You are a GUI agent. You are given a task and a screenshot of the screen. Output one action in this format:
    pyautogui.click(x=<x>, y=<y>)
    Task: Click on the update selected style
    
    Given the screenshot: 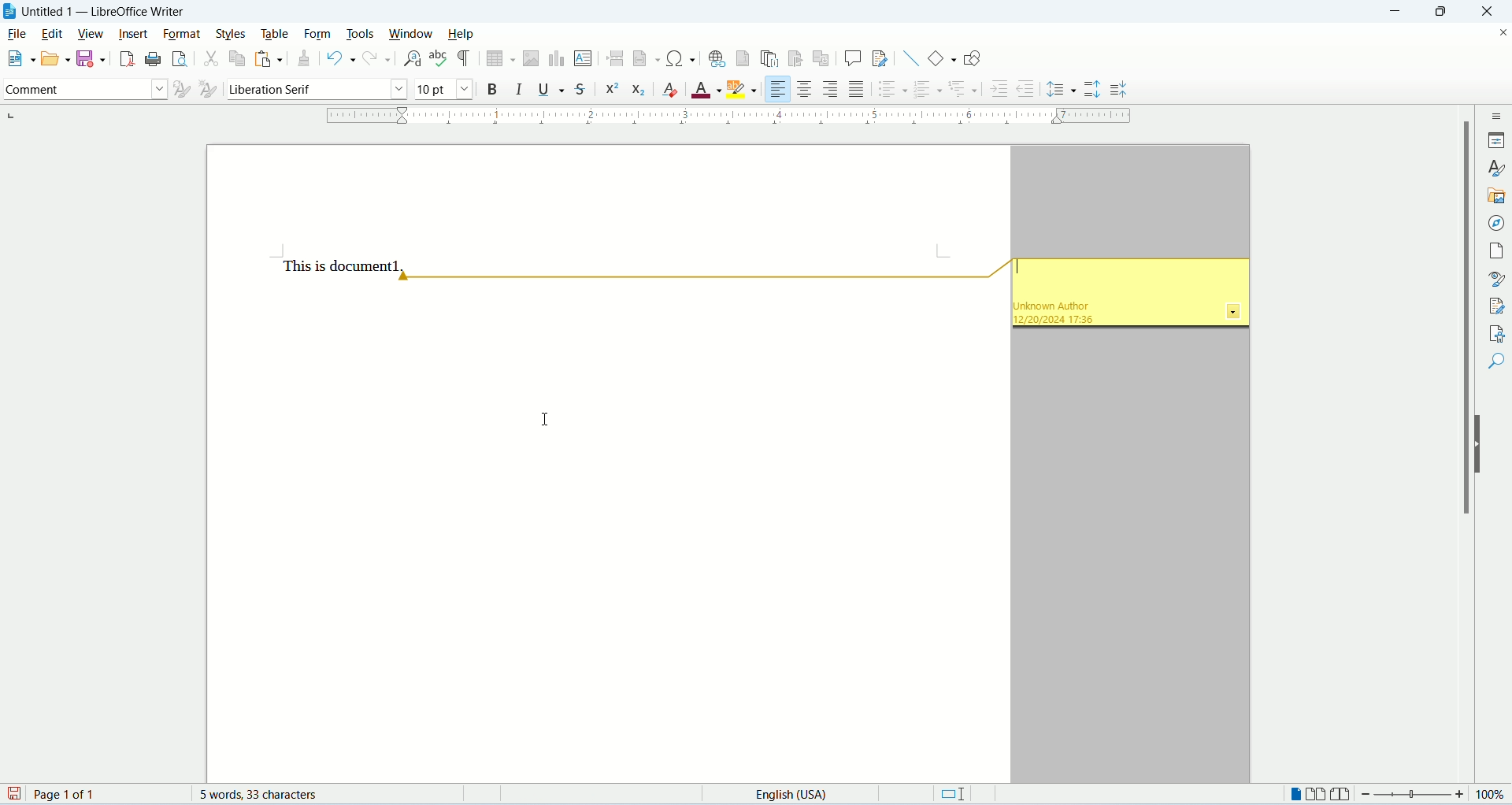 What is the action you would take?
    pyautogui.click(x=179, y=89)
    